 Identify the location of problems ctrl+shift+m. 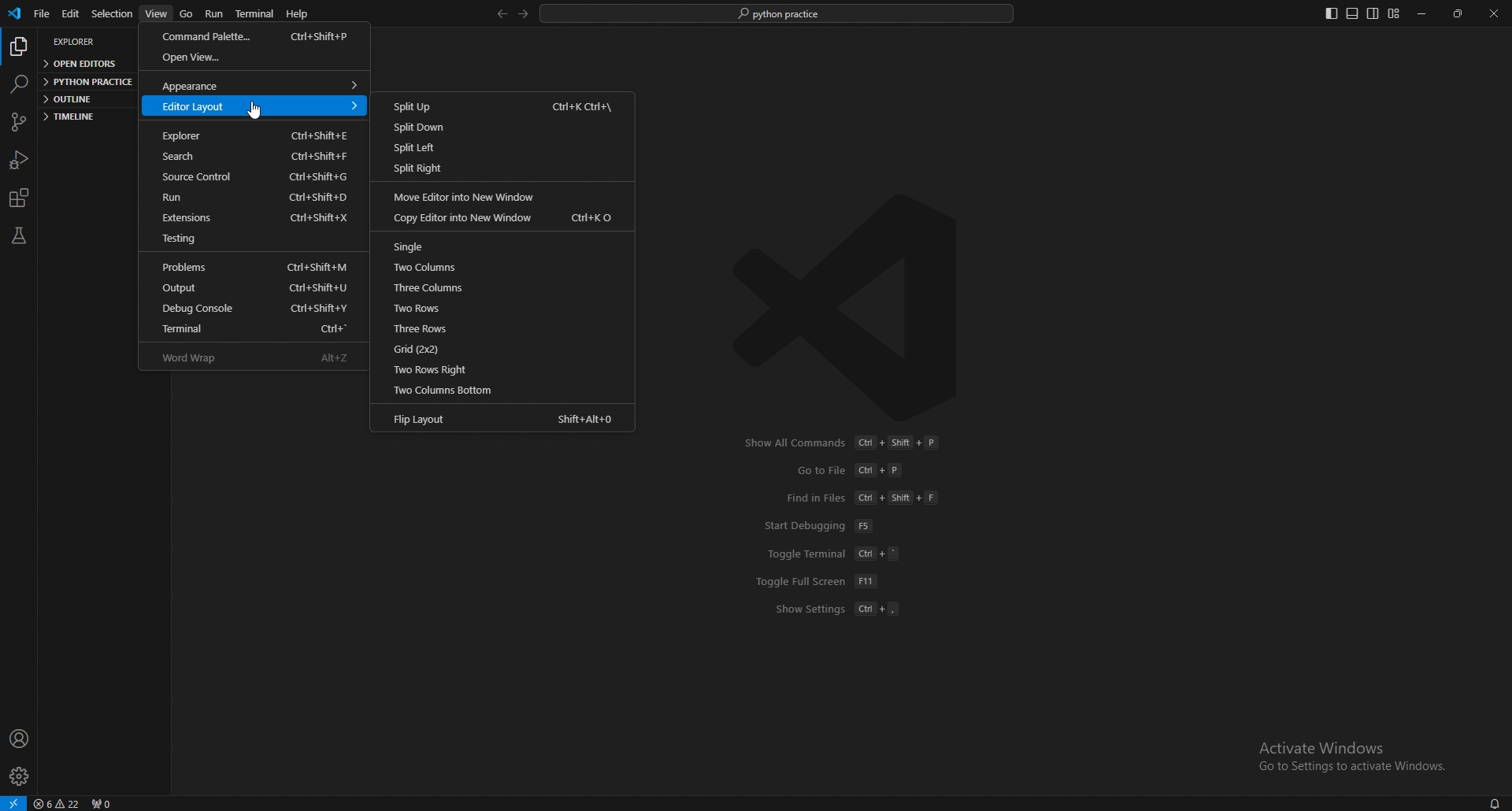
(249, 266).